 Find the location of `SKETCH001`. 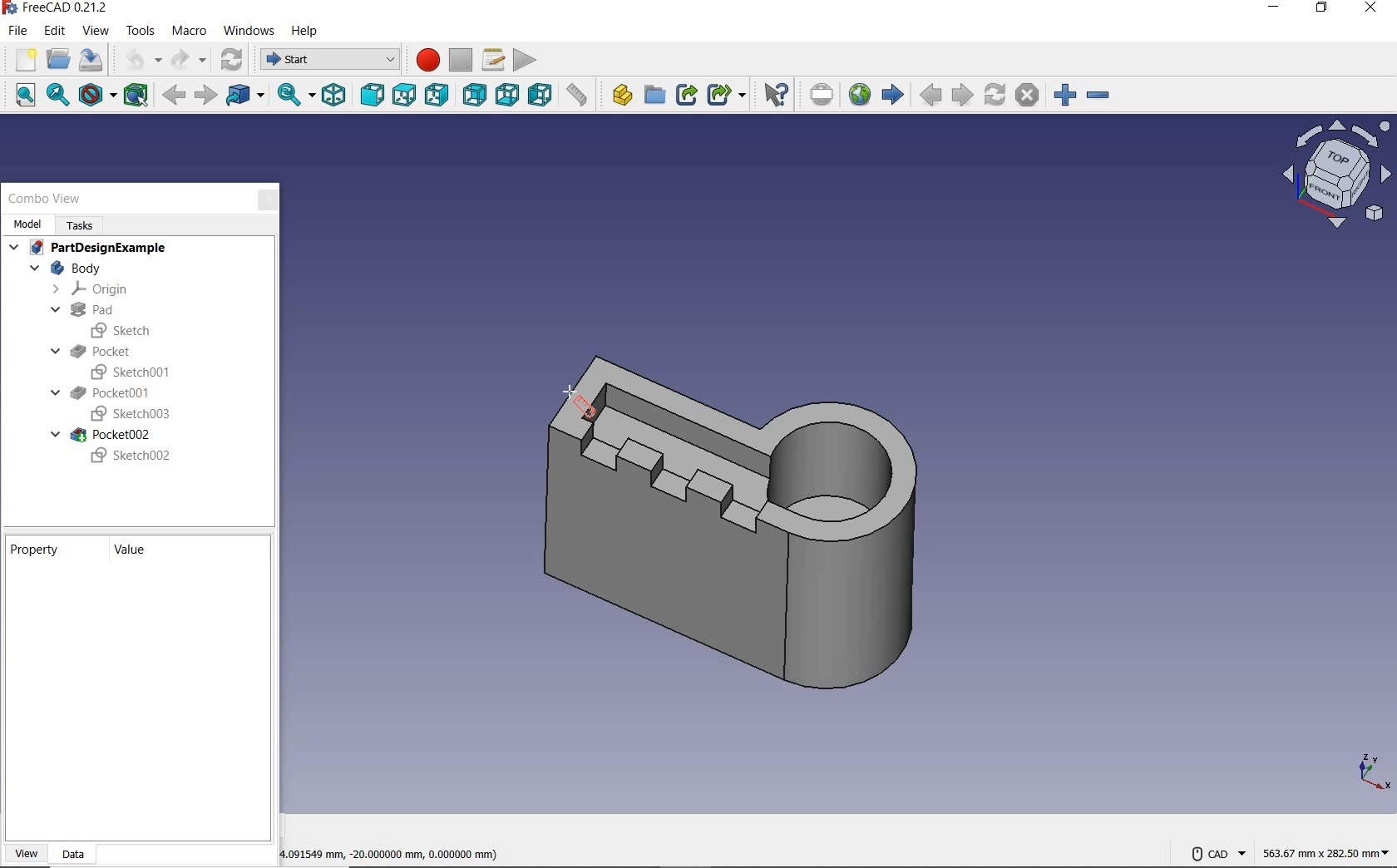

SKETCH001 is located at coordinates (134, 371).